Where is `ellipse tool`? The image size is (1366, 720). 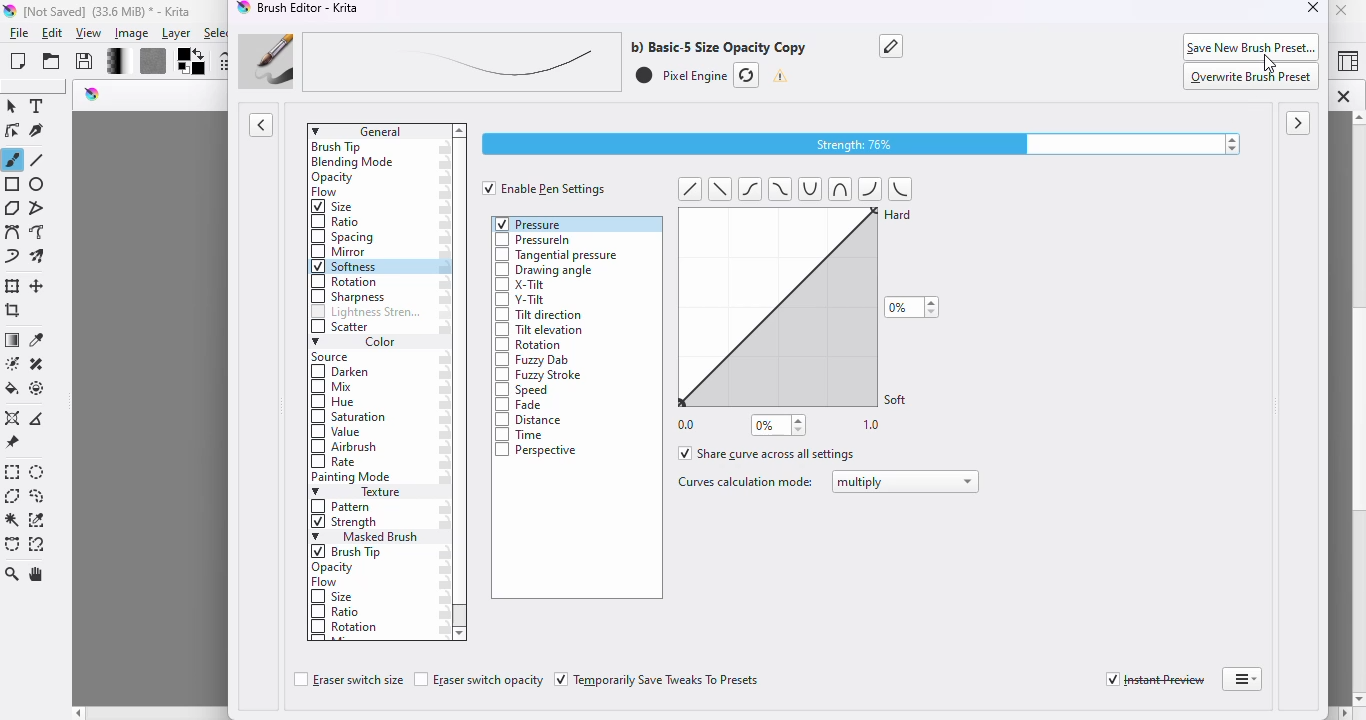 ellipse tool is located at coordinates (38, 185).